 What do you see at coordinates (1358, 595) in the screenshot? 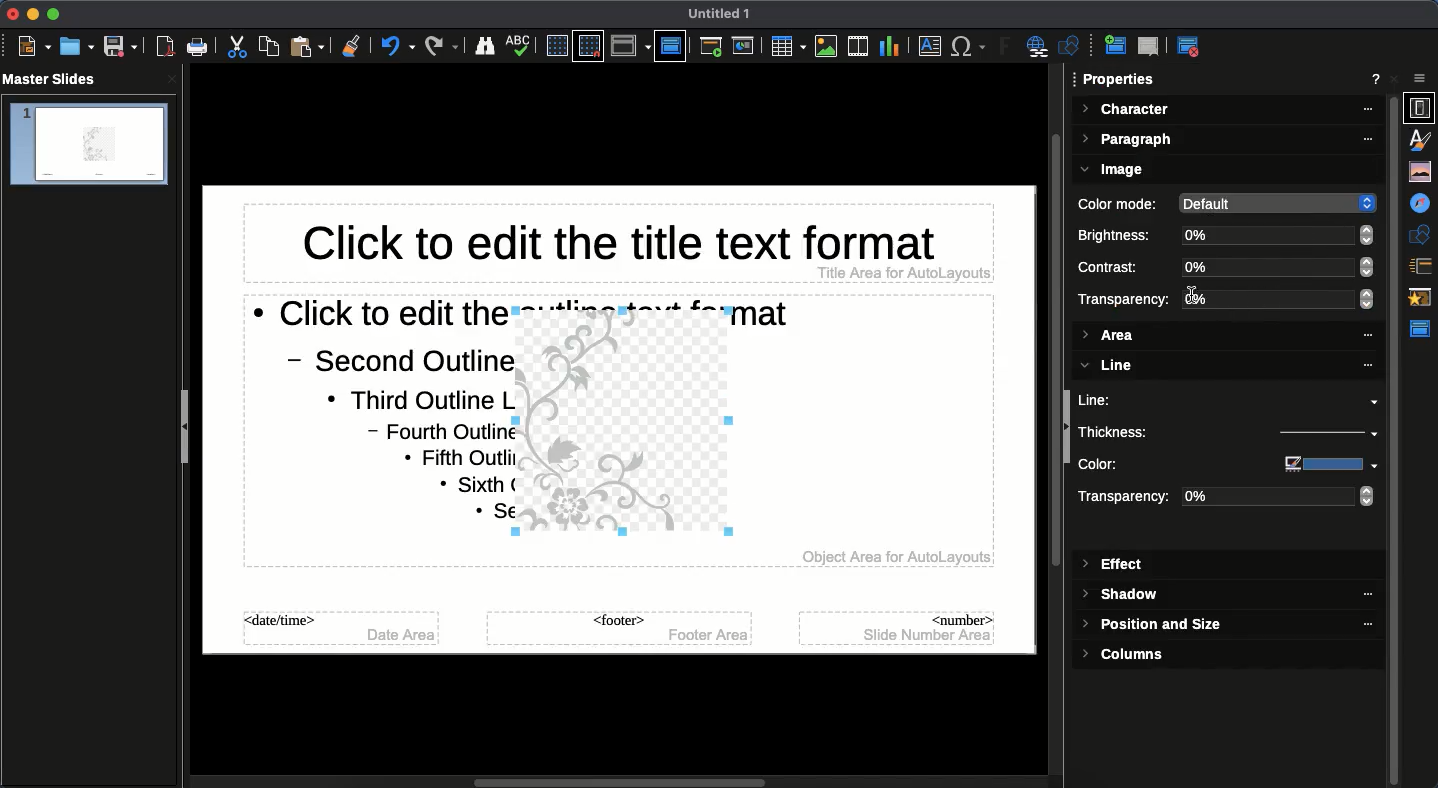
I see `""` at bounding box center [1358, 595].